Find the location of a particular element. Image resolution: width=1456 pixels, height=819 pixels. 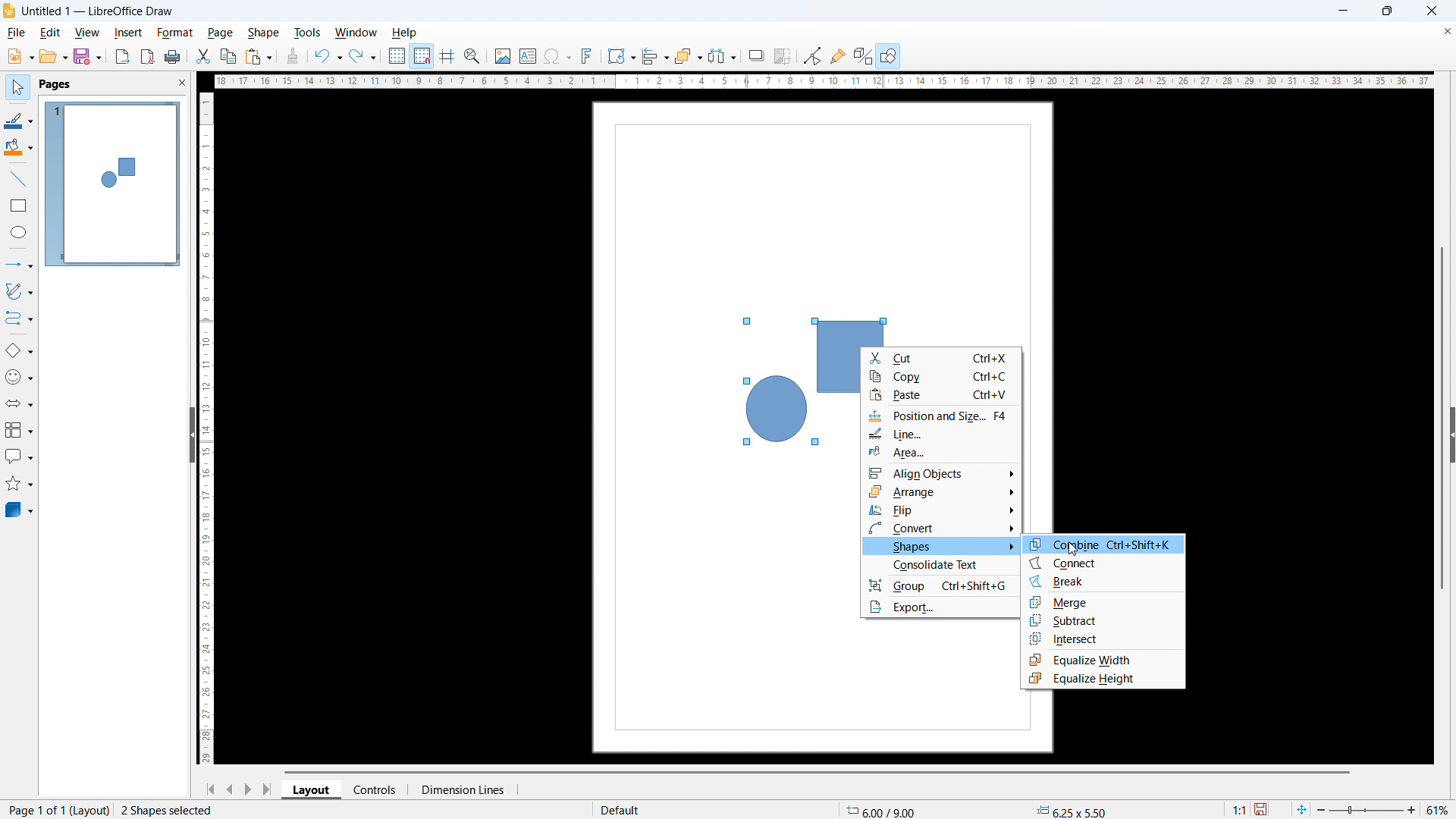

align objects is located at coordinates (942, 472).